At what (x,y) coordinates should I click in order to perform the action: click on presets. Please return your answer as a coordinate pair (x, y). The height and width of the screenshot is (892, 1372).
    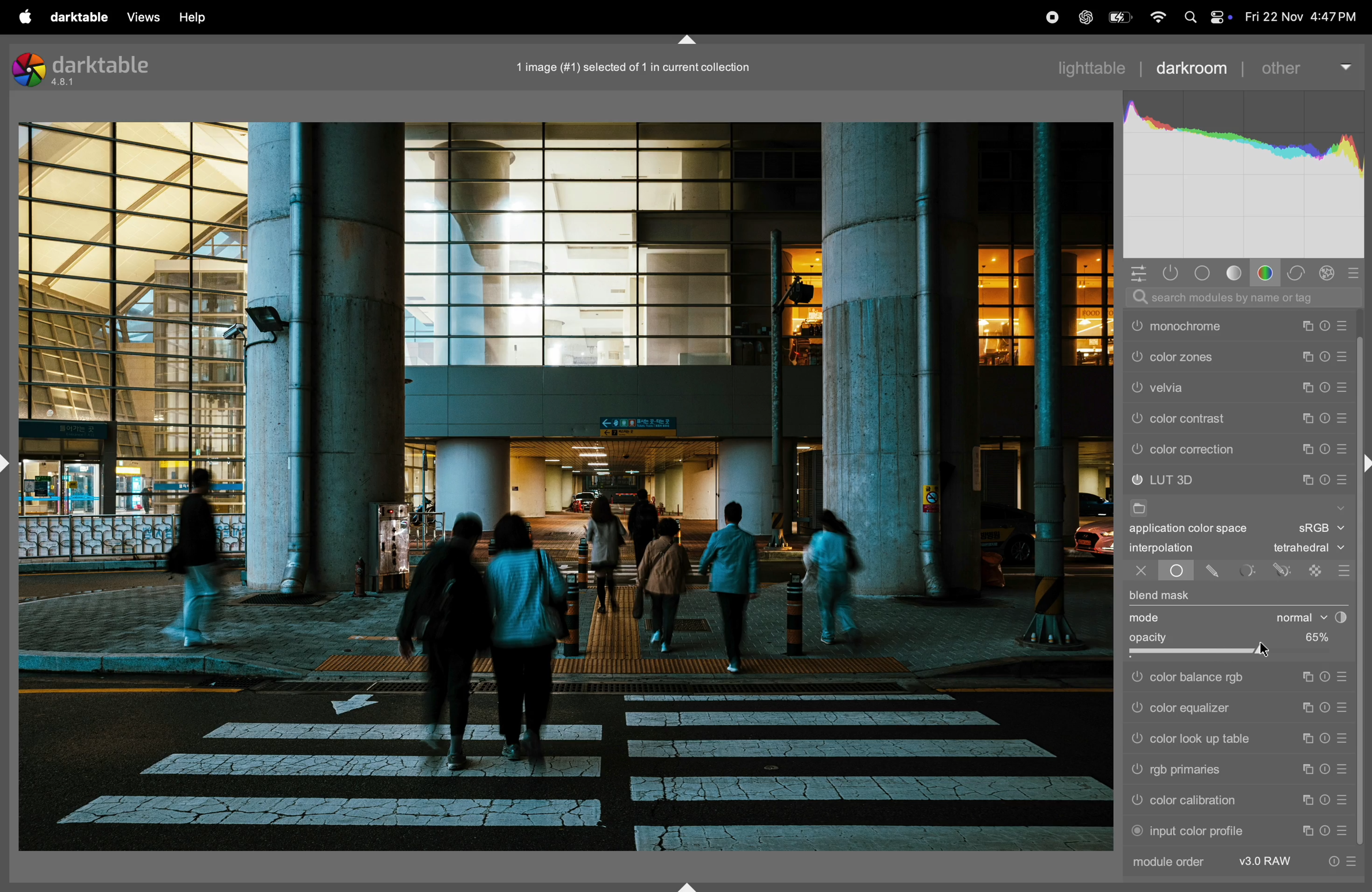
    Looking at the image, I should click on (1341, 828).